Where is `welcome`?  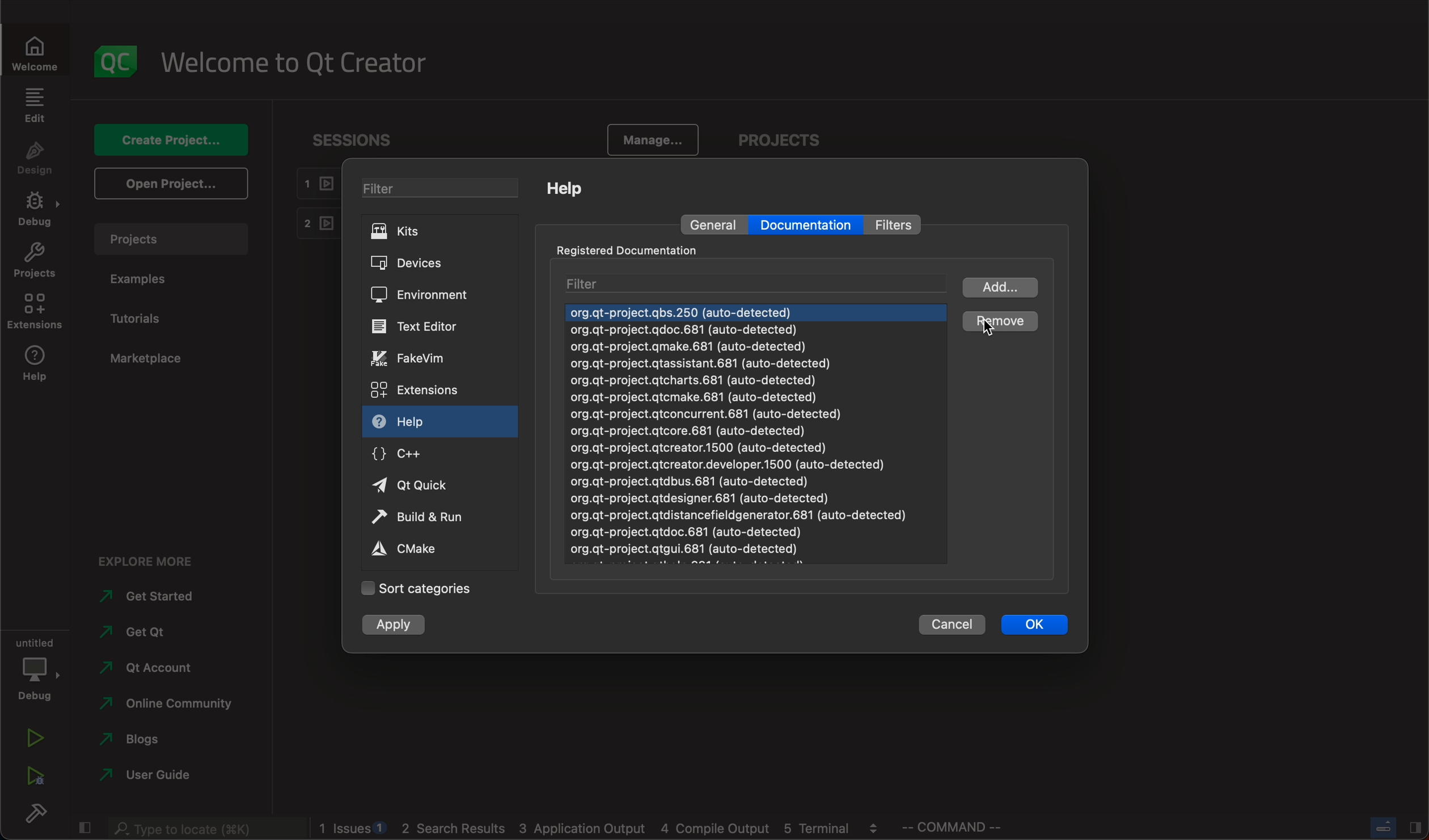 welcome is located at coordinates (33, 57).